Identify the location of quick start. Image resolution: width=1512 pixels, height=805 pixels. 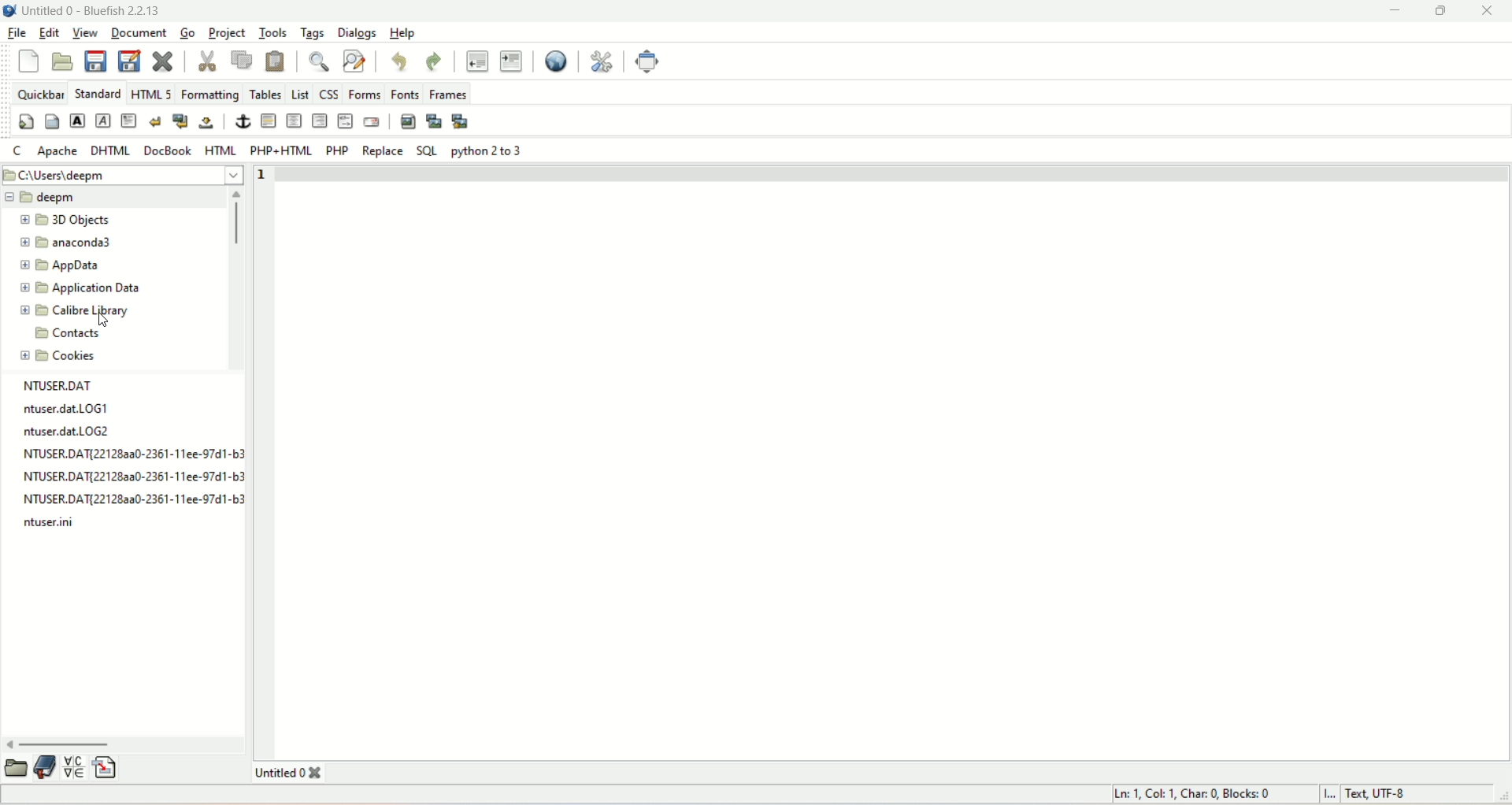
(25, 121).